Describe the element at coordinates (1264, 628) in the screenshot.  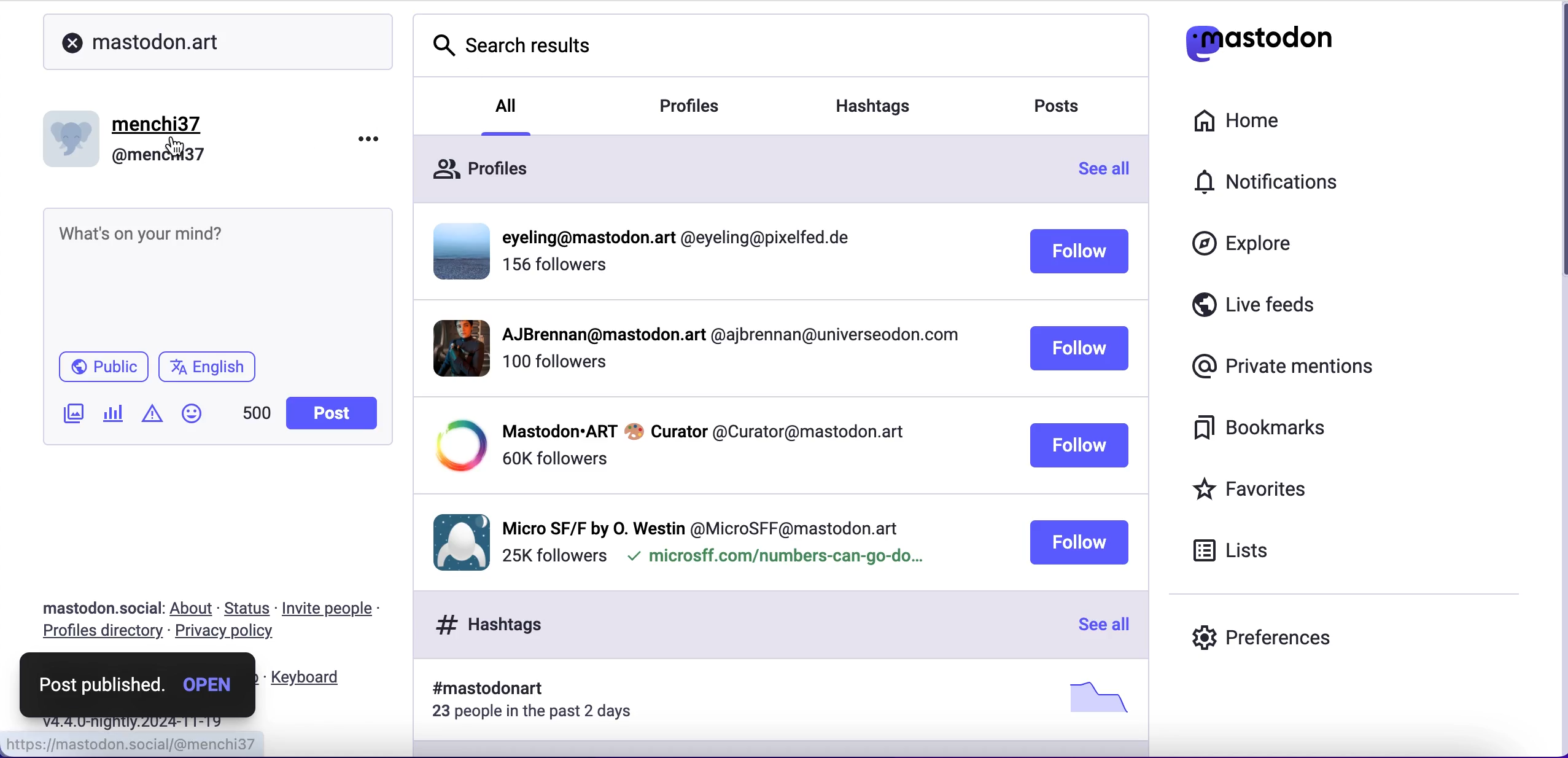
I see `preferences` at that location.